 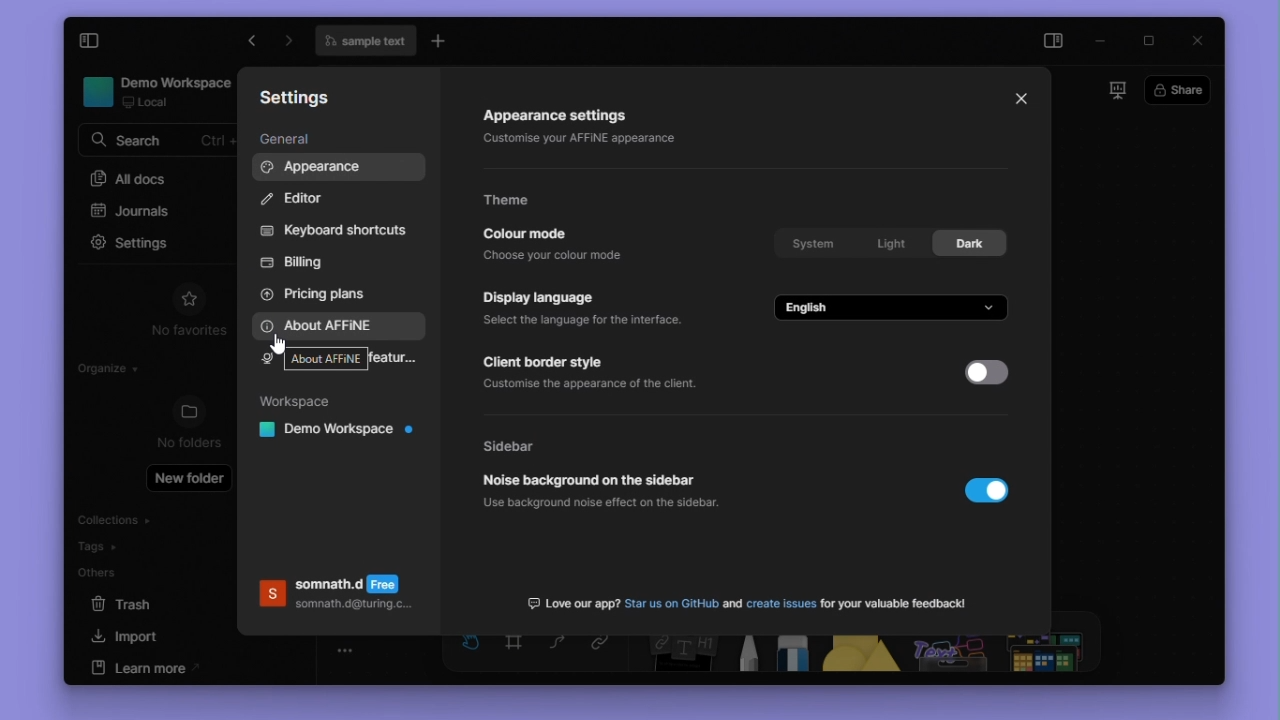 What do you see at coordinates (1198, 42) in the screenshot?
I see `close` at bounding box center [1198, 42].